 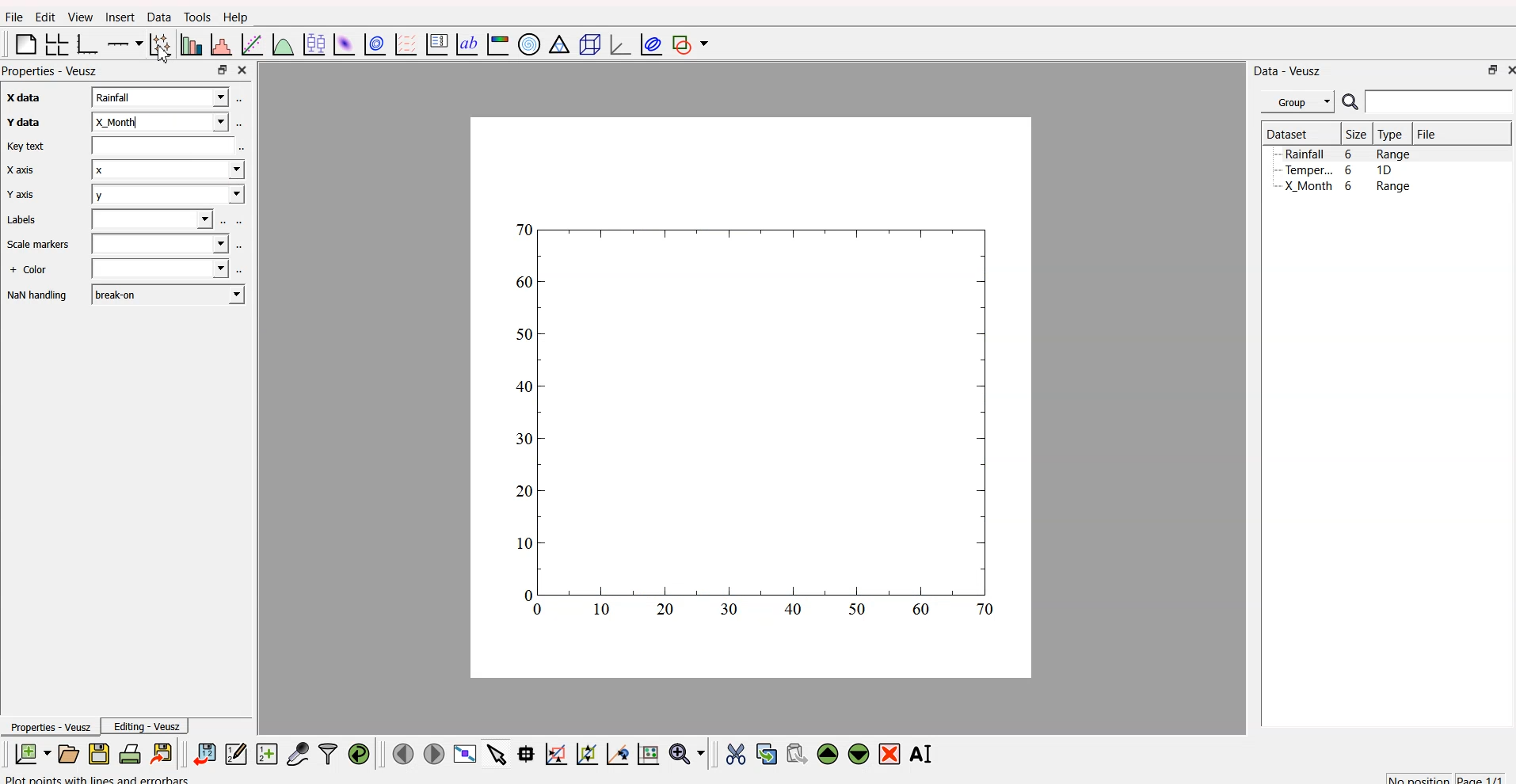 What do you see at coordinates (27, 147) in the screenshot?
I see `Key text` at bounding box center [27, 147].